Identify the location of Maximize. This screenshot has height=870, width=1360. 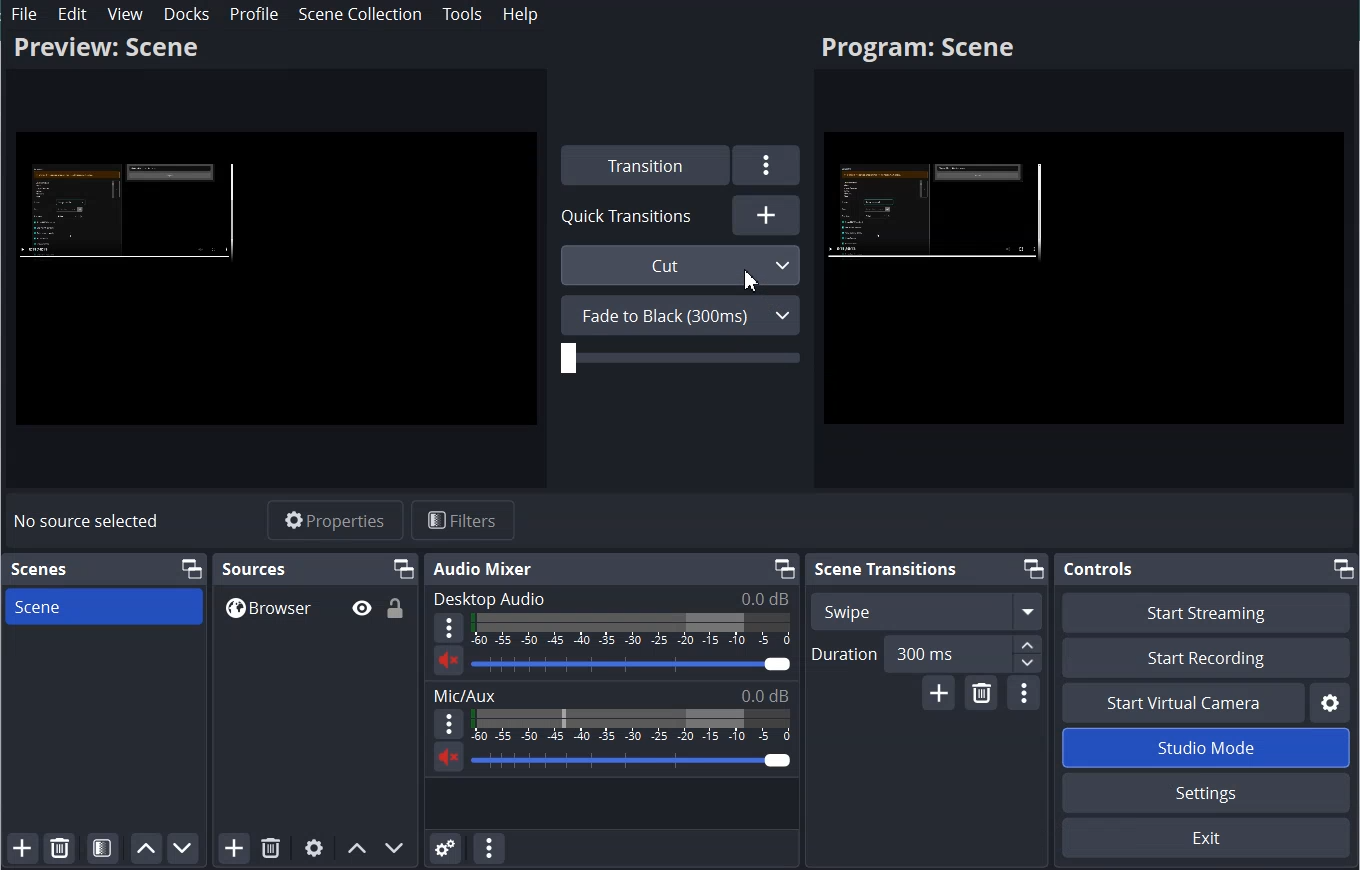
(190, 569).